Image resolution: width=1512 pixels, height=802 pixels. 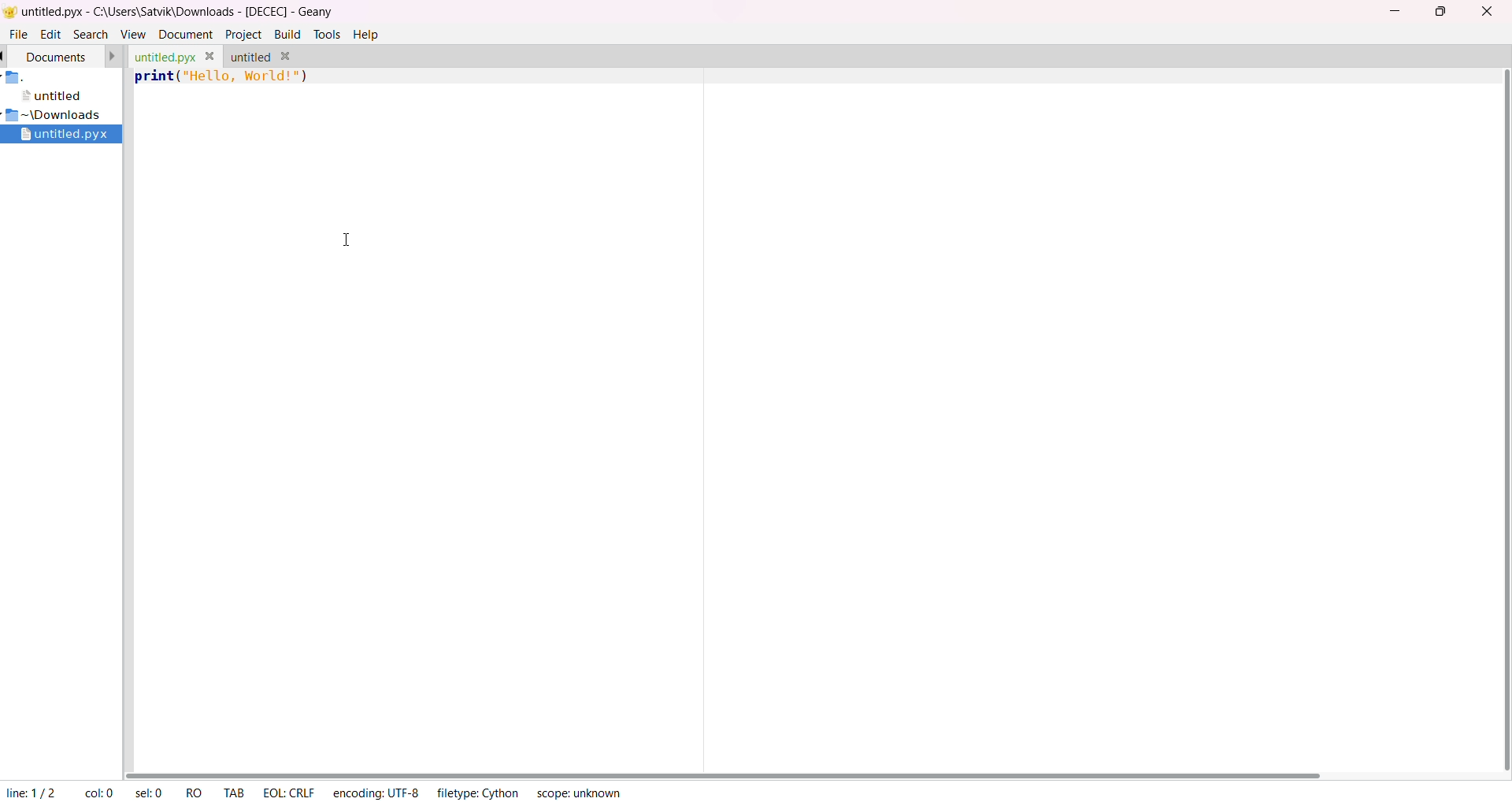 I want to click on document, so click(x=59, y=58).